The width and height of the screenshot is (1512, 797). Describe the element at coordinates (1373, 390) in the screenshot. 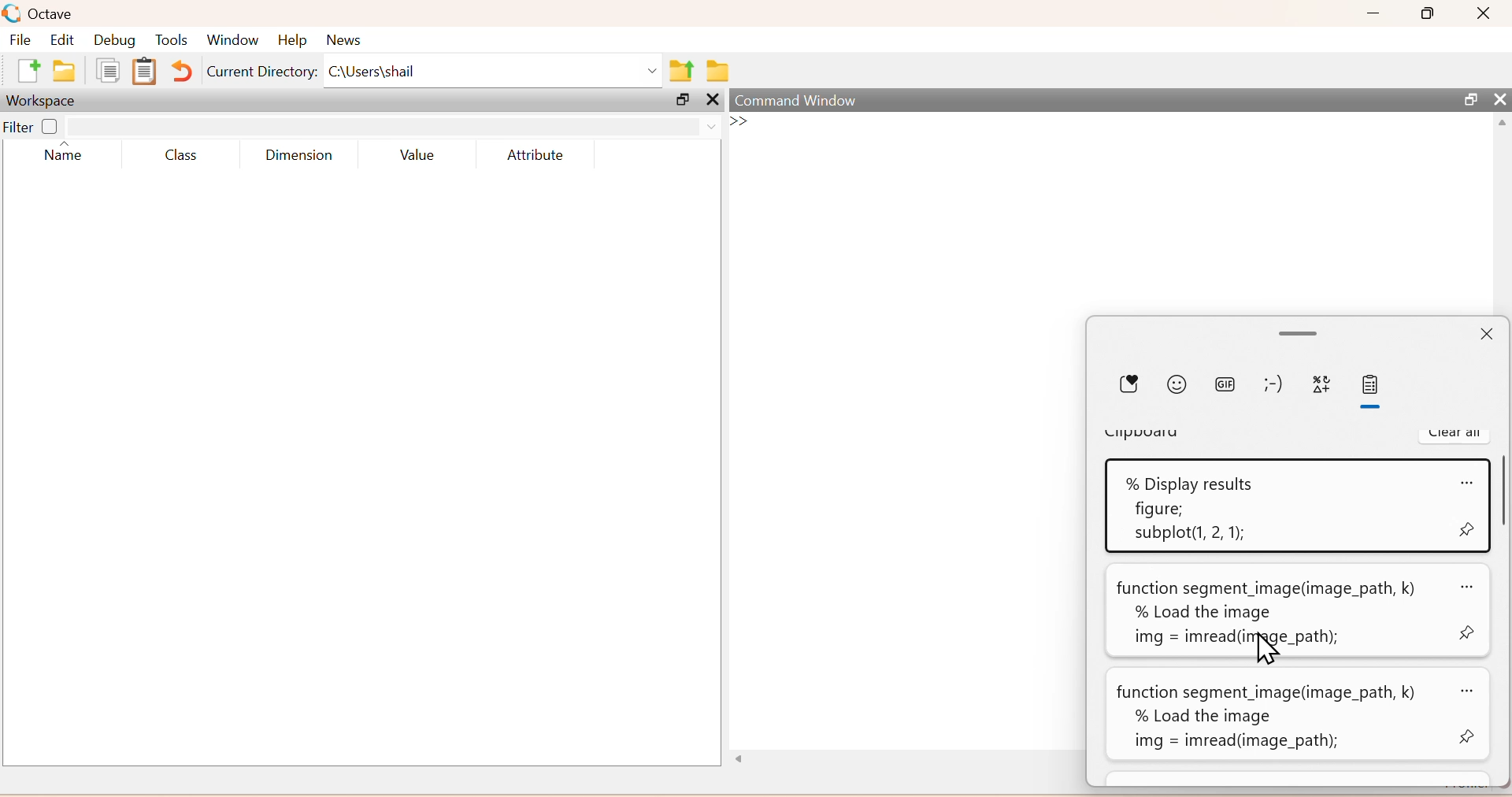

I see `paste` at that location.